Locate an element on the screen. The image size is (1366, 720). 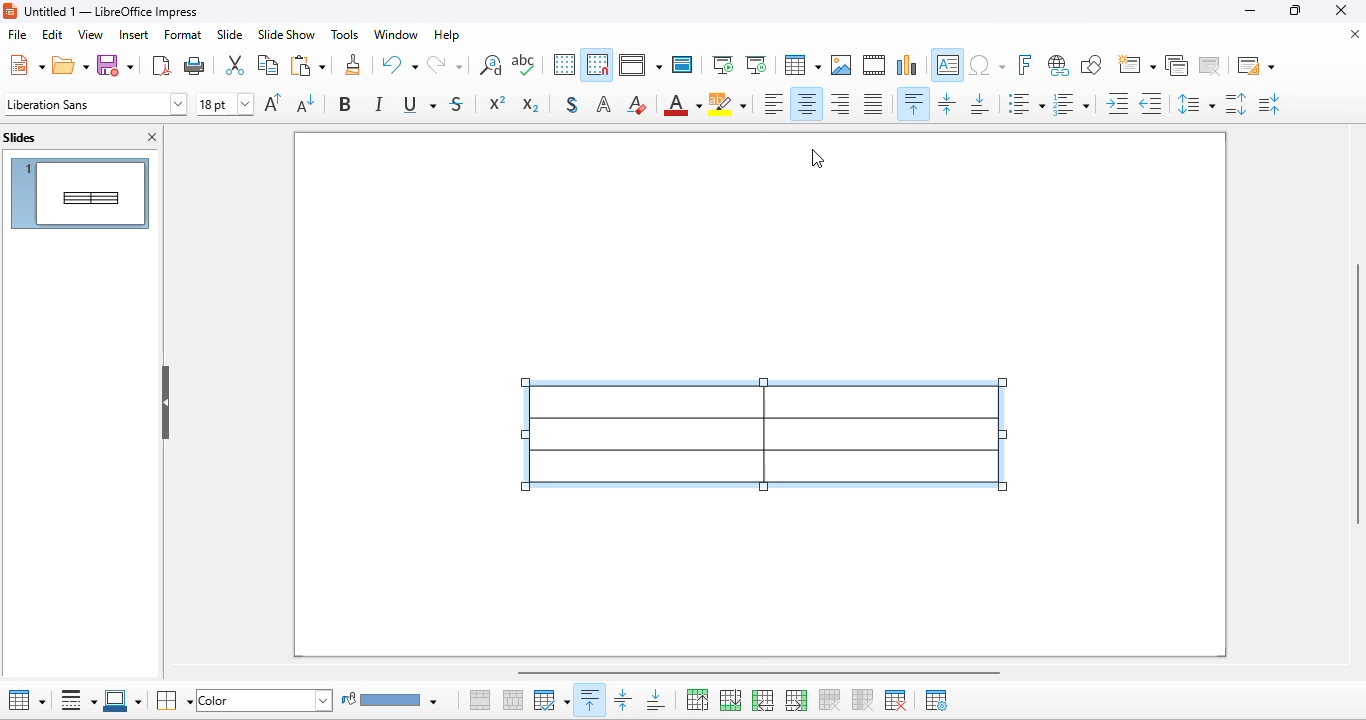
table is located at coordinates (27, 700).